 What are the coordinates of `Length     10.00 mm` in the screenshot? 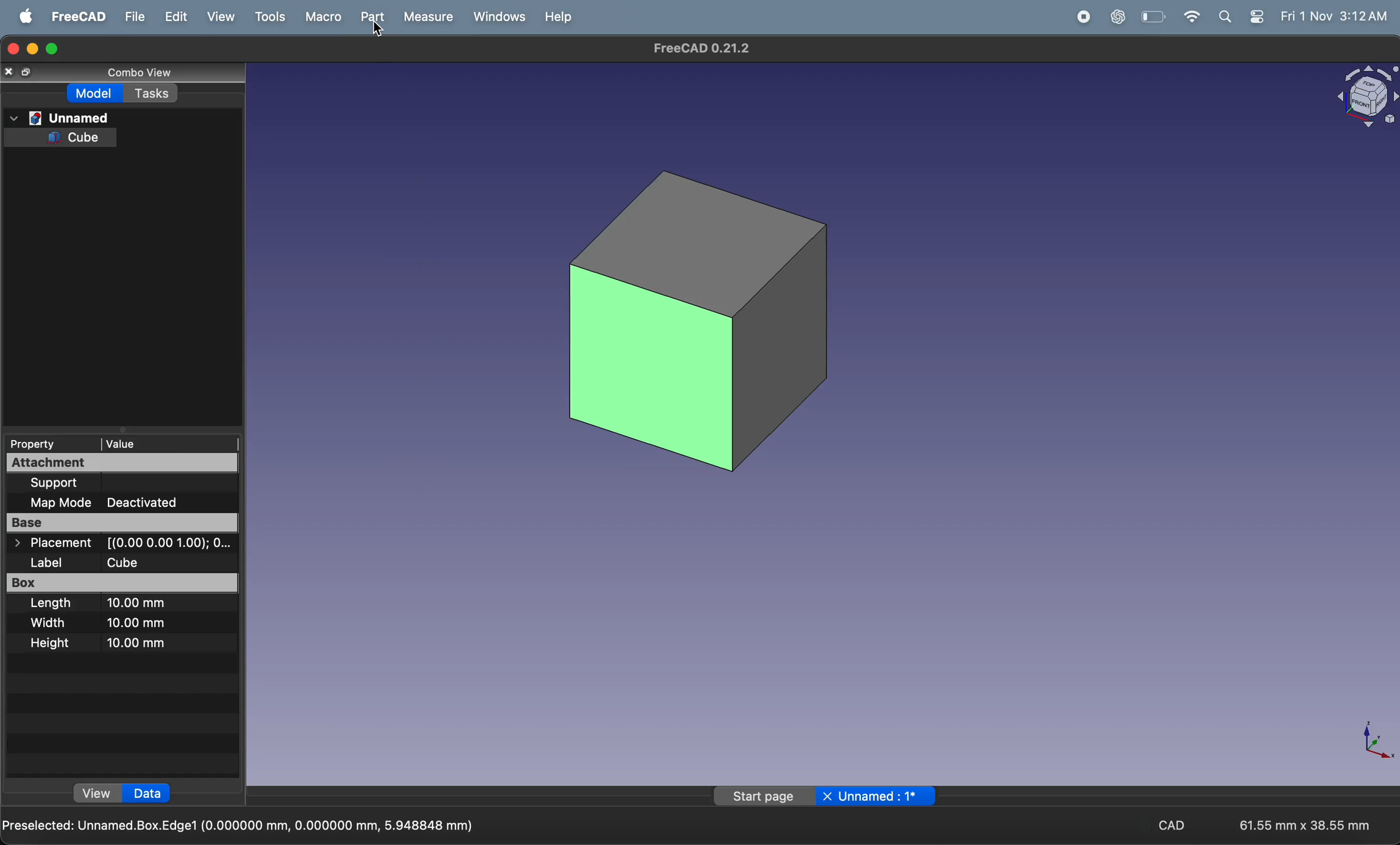 It's located at (103, 604).